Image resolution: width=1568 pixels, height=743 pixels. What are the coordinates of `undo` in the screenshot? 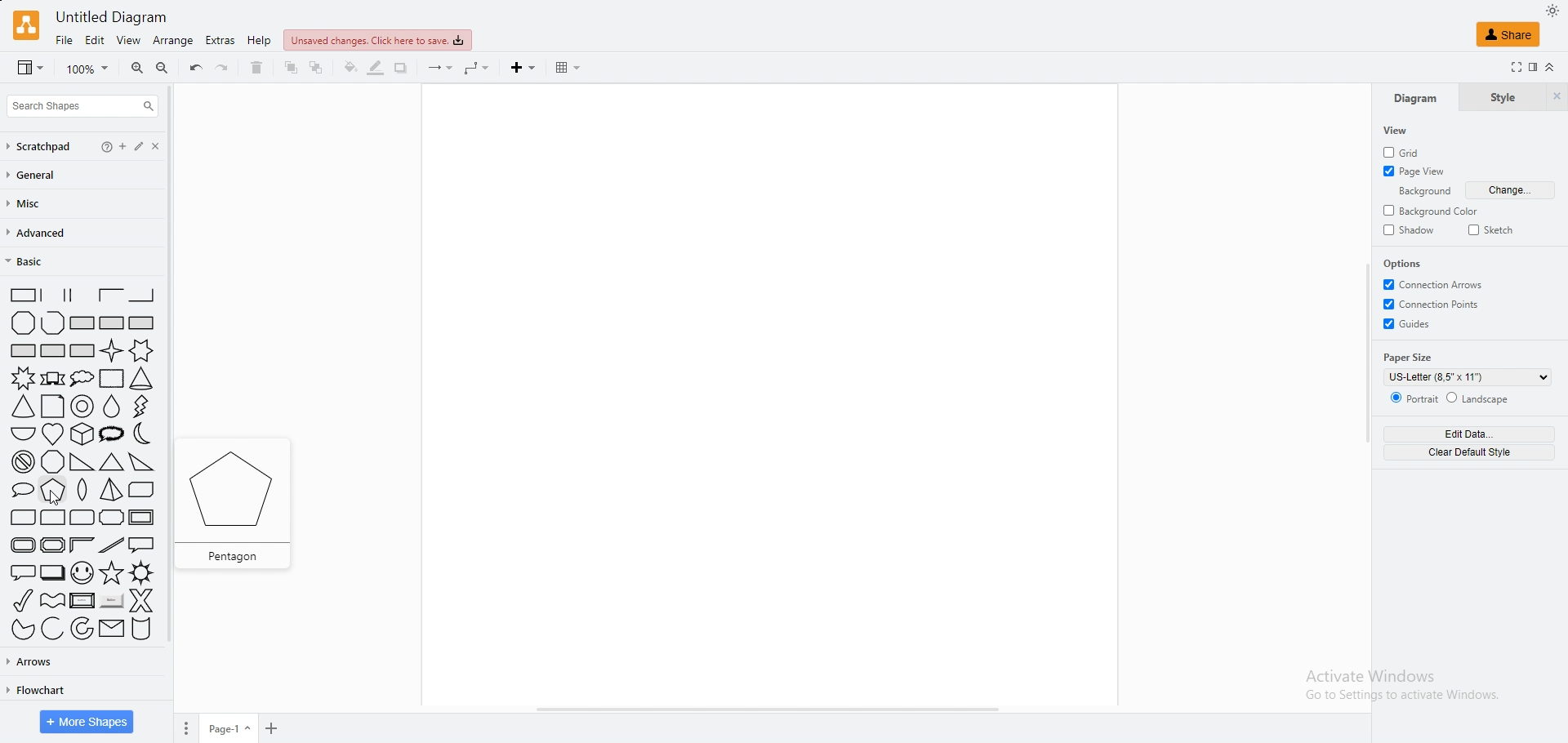 It's located at (196, 68).